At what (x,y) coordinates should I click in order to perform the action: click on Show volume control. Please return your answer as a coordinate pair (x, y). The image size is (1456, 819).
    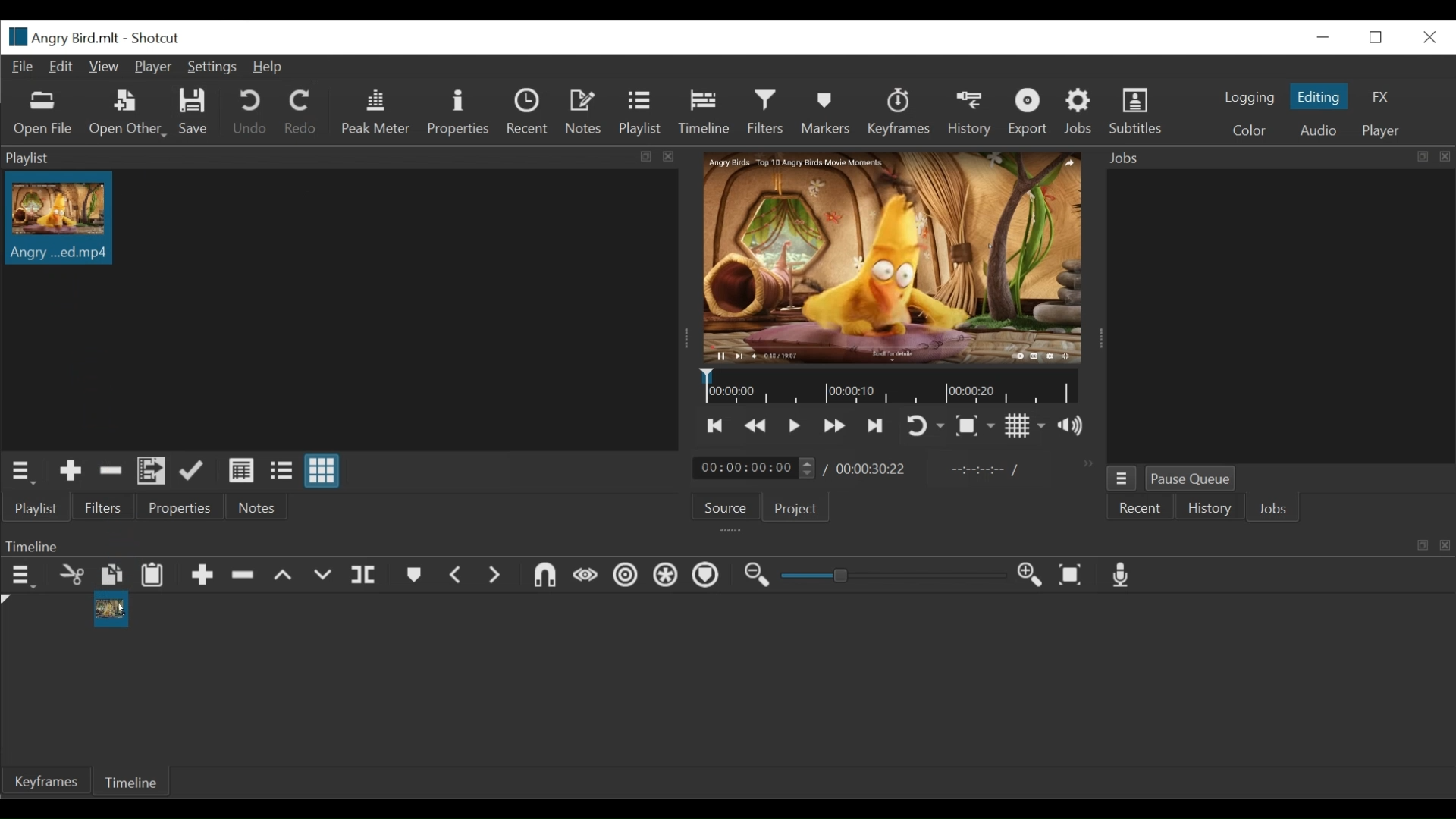
    Looking at the image, I should click on (1068, 424).